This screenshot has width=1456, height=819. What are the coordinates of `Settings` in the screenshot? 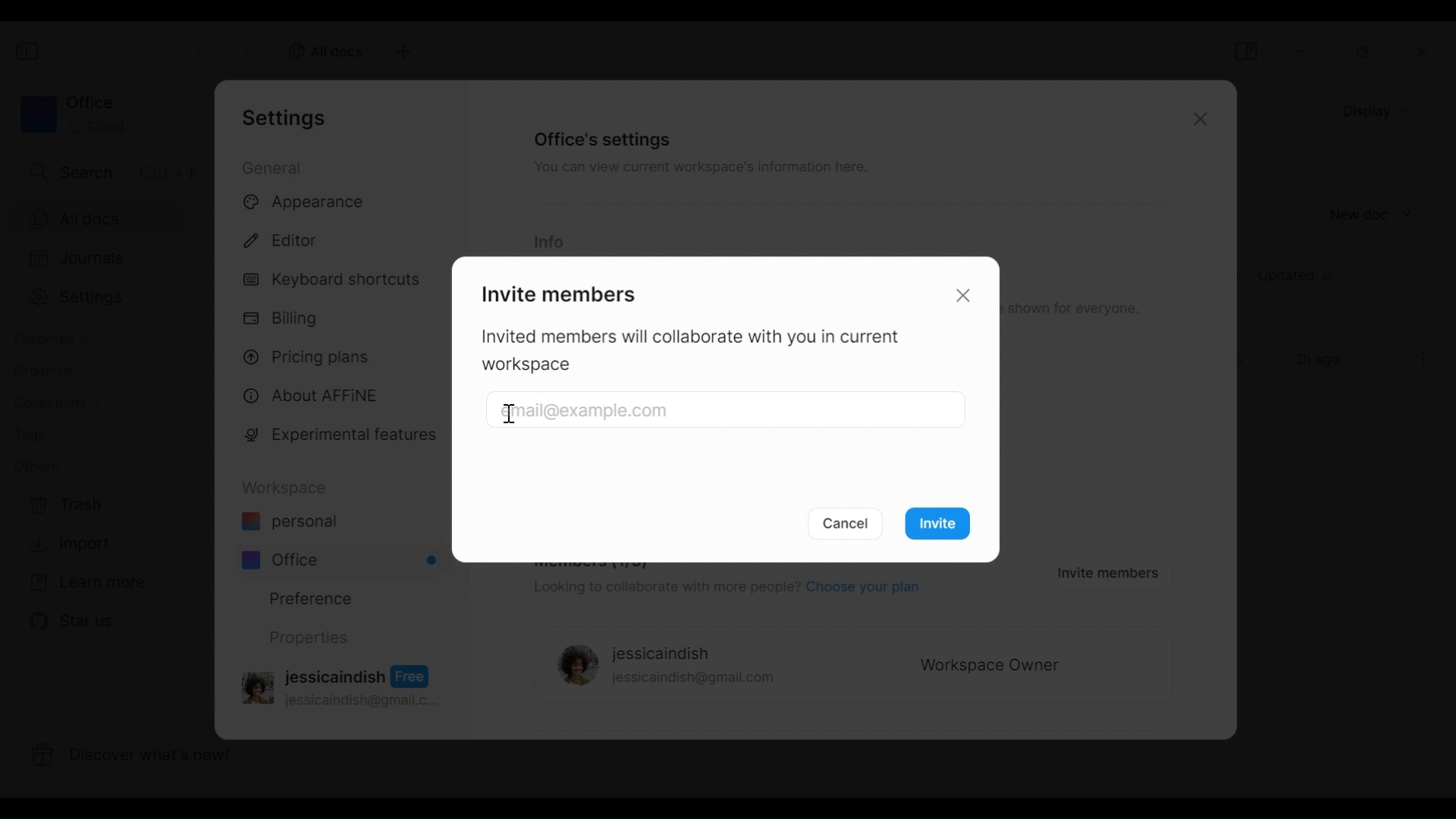 It's located at (105, 297).